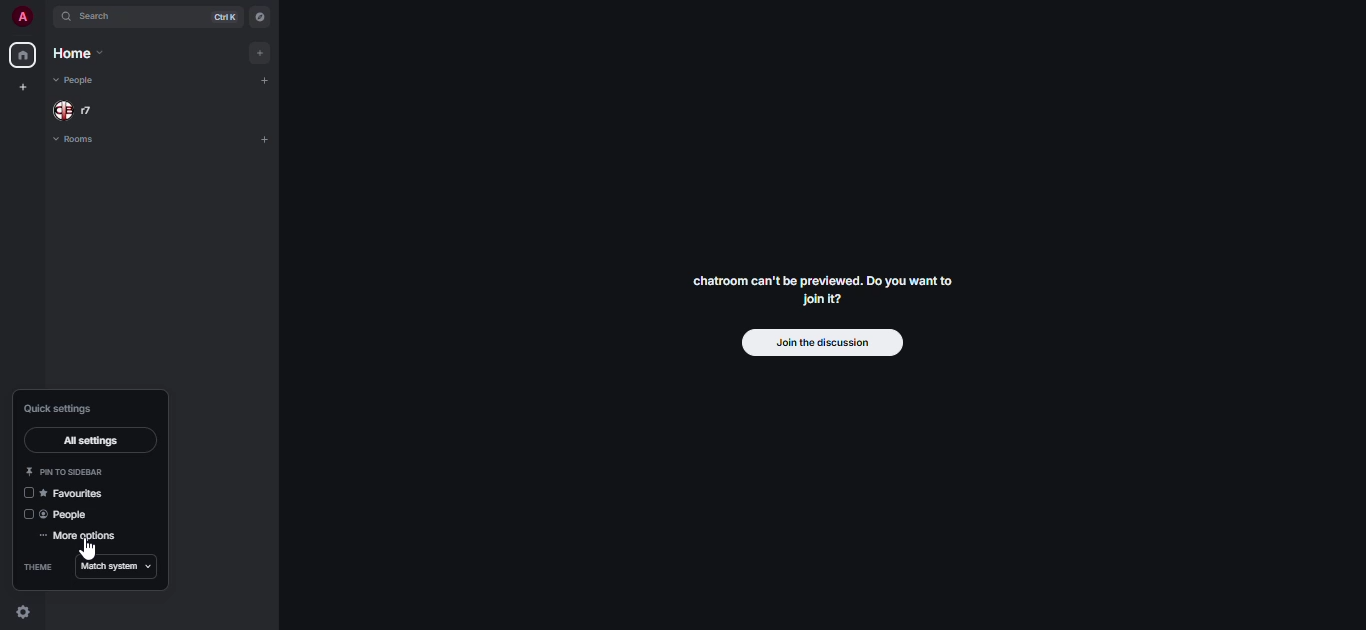 The image size is (1366, 630). Describe the element at coordinates (60, 513) in the screenshot. I see `people` at that location.